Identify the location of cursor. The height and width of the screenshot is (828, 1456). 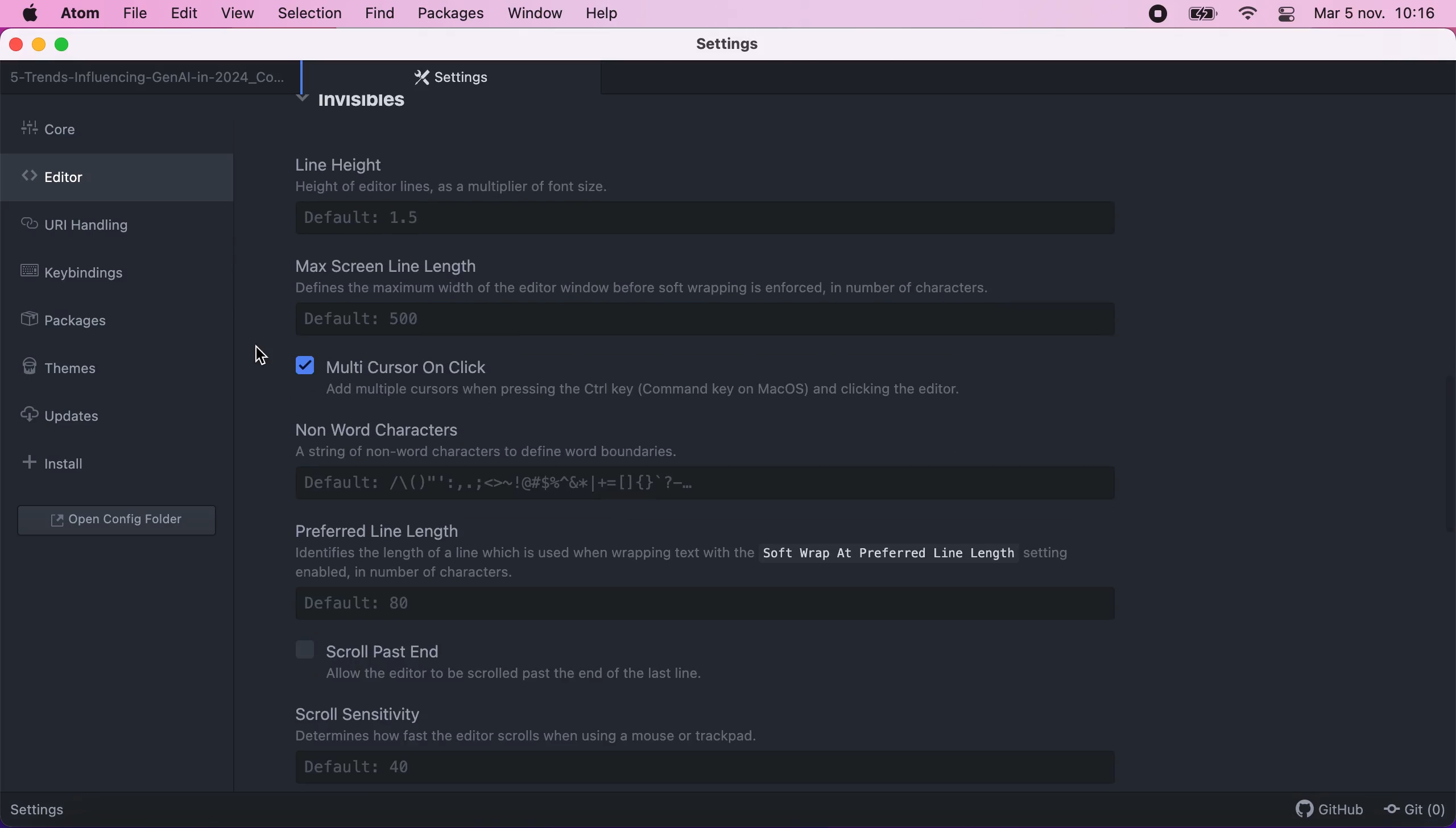
(254, 355).